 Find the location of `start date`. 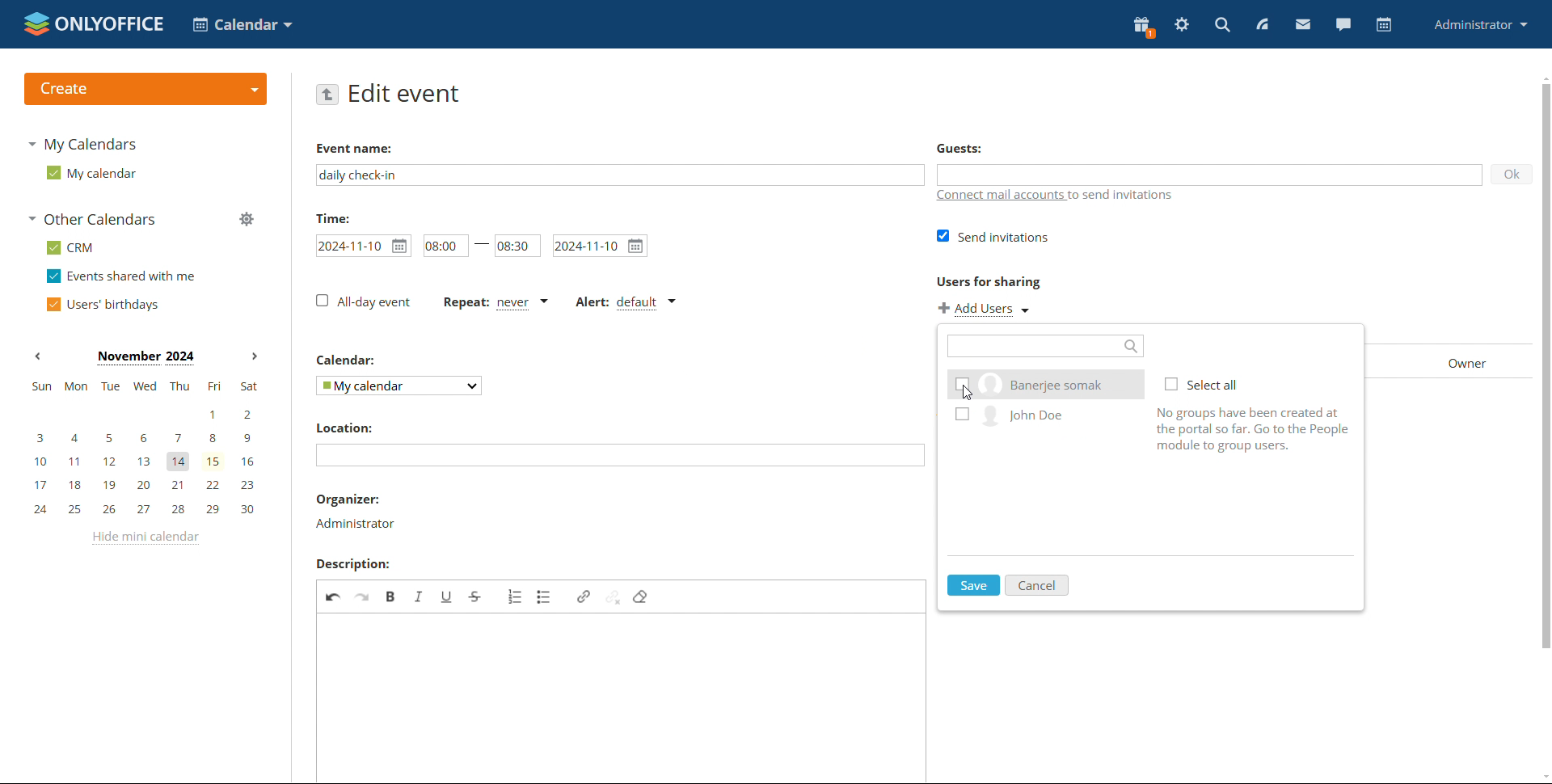

start date is located at coordinates (364, 246).